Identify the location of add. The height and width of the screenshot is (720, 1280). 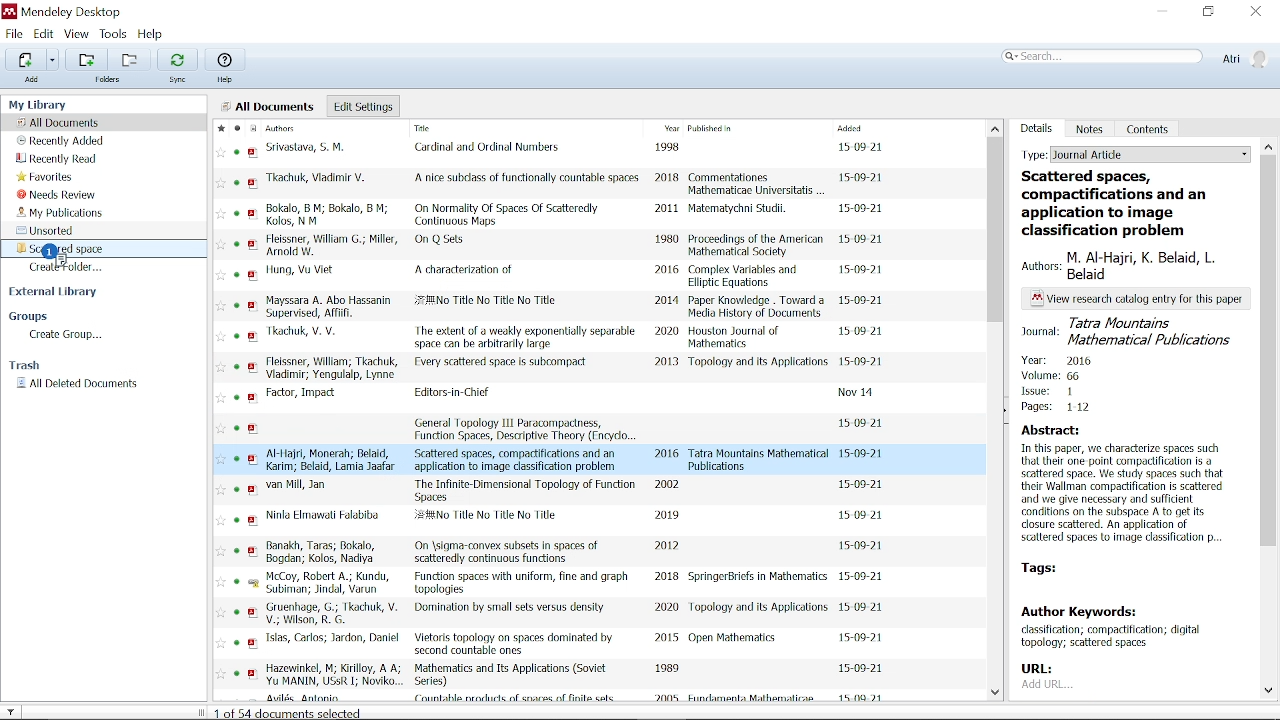
(32, 80).